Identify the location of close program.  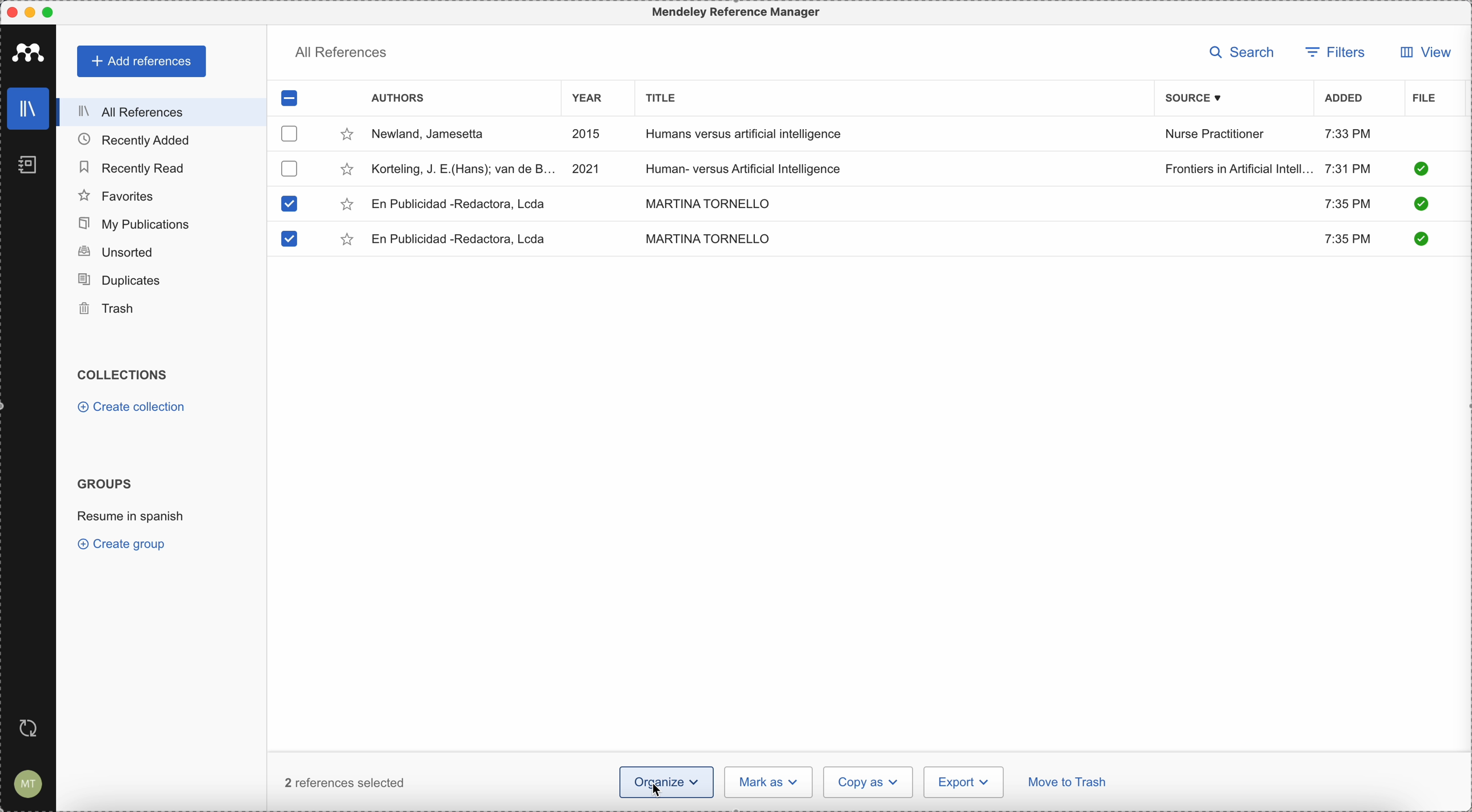
(12, 13).